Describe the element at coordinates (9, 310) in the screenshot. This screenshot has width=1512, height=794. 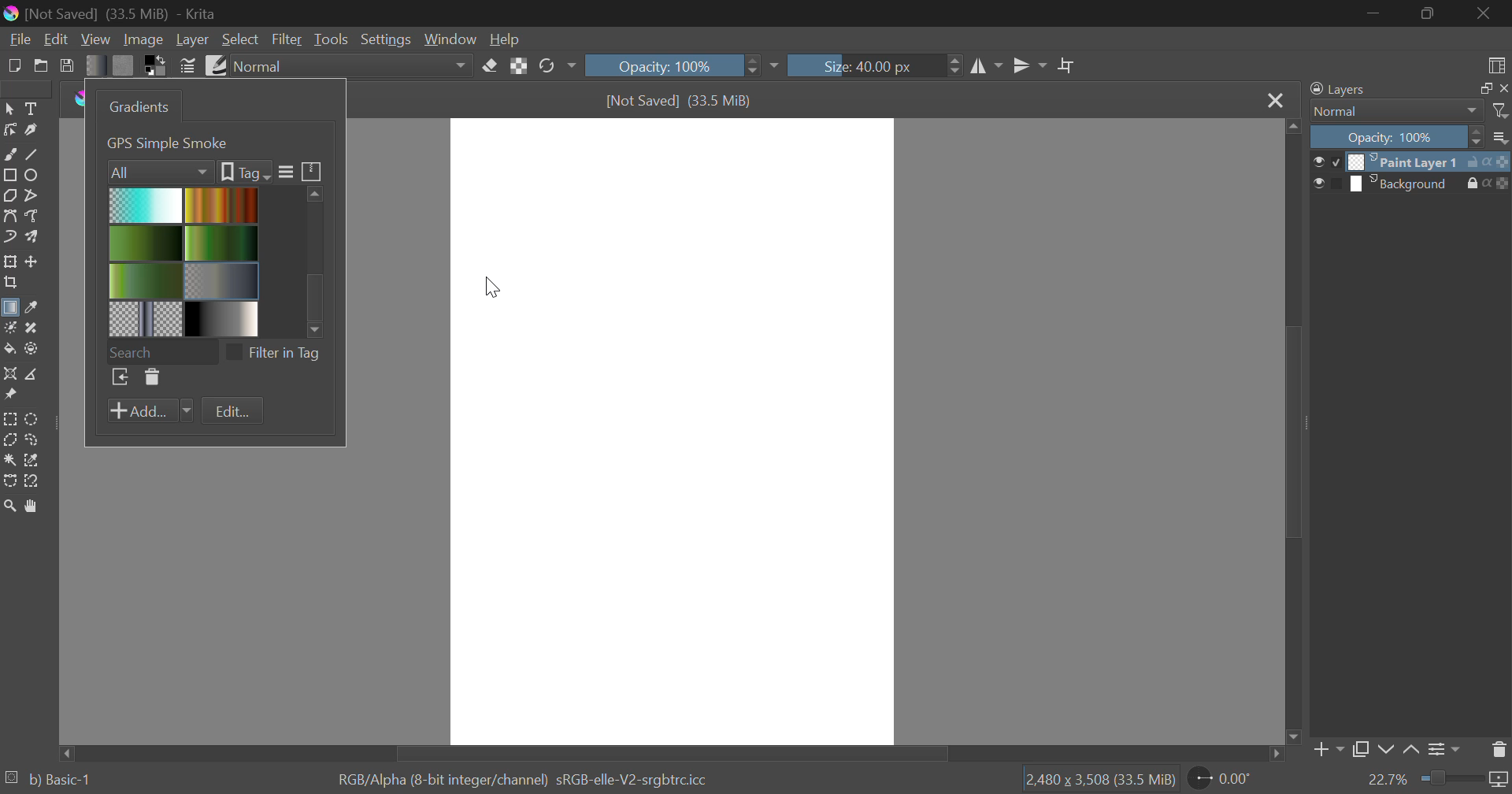
I see `Gradient Fill` at that location.